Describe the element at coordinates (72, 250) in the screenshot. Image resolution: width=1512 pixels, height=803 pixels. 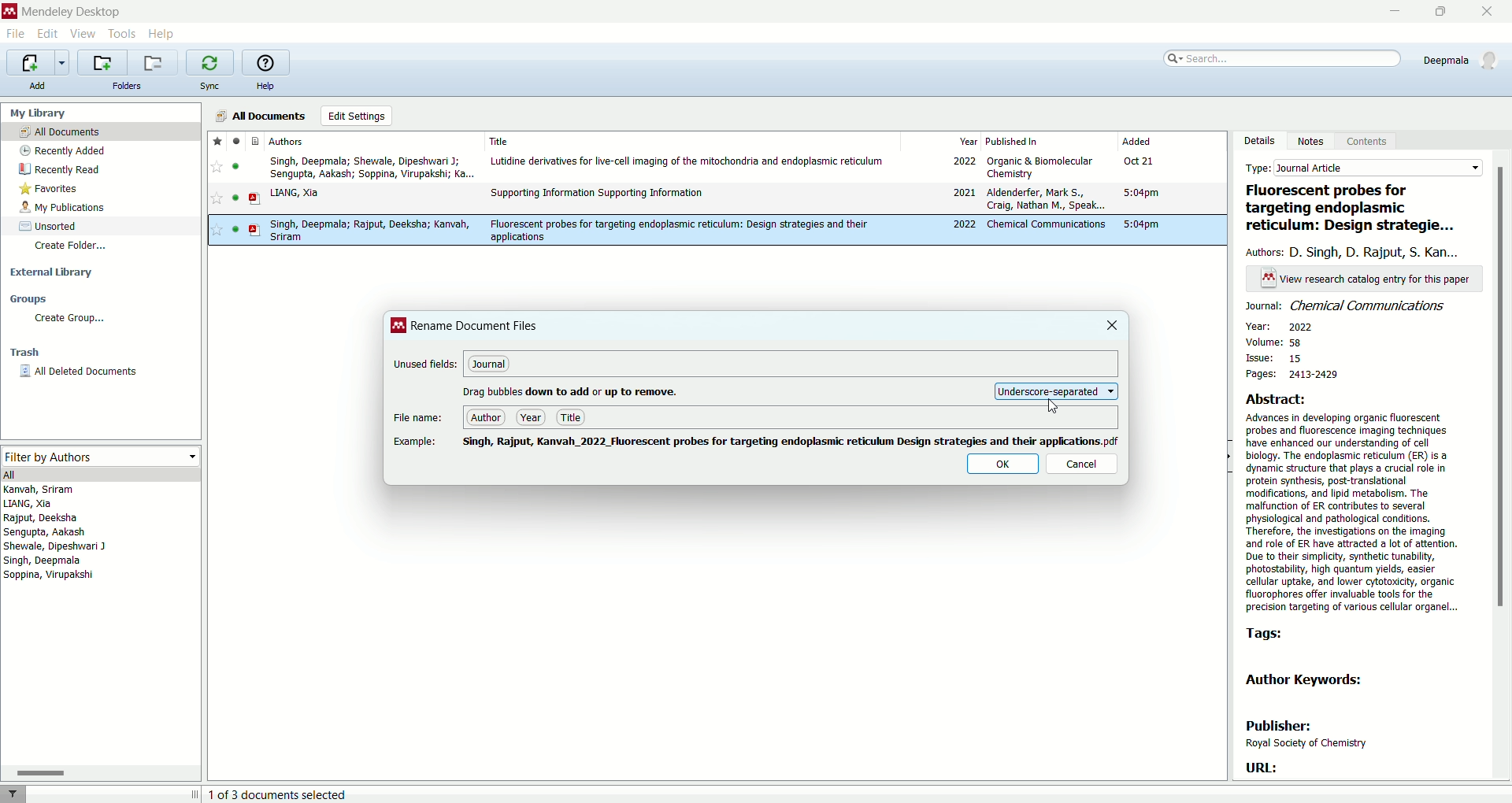
I see `create folder` at that location.